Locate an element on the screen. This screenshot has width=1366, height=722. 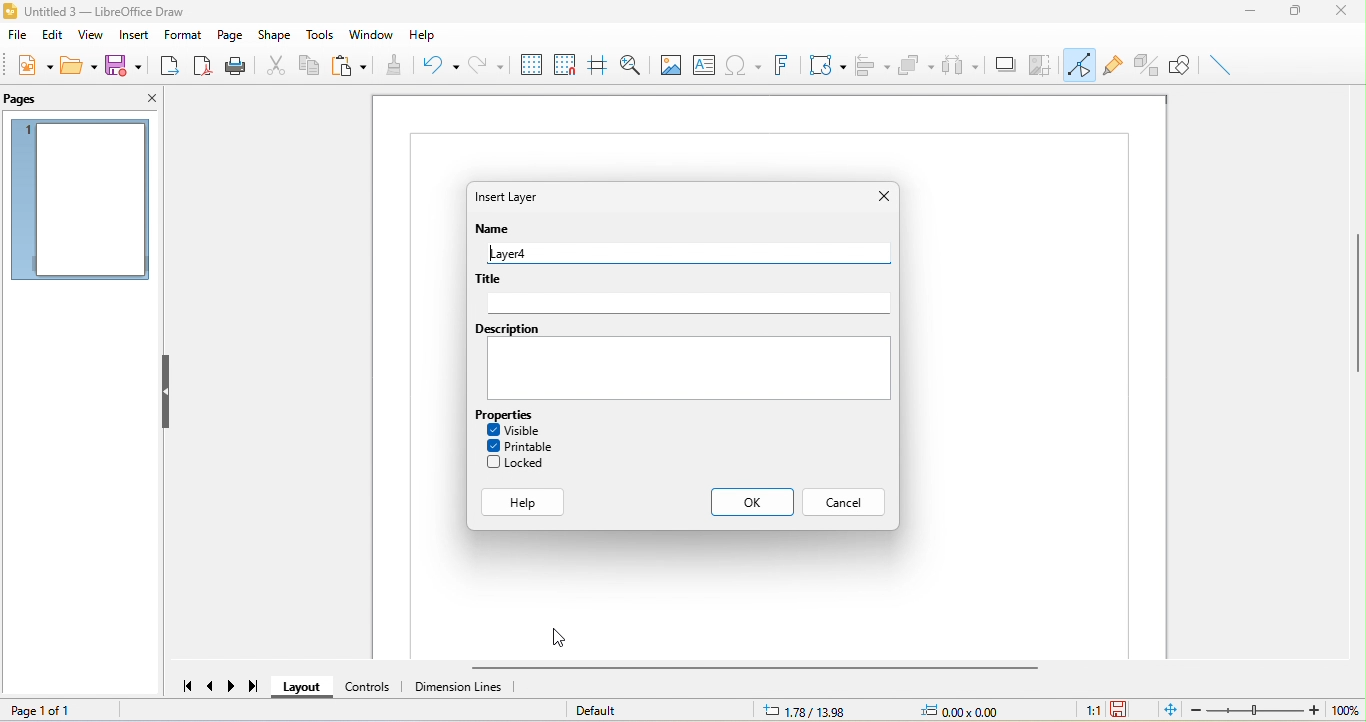
1:1 is located at coordinates (1085, 711).